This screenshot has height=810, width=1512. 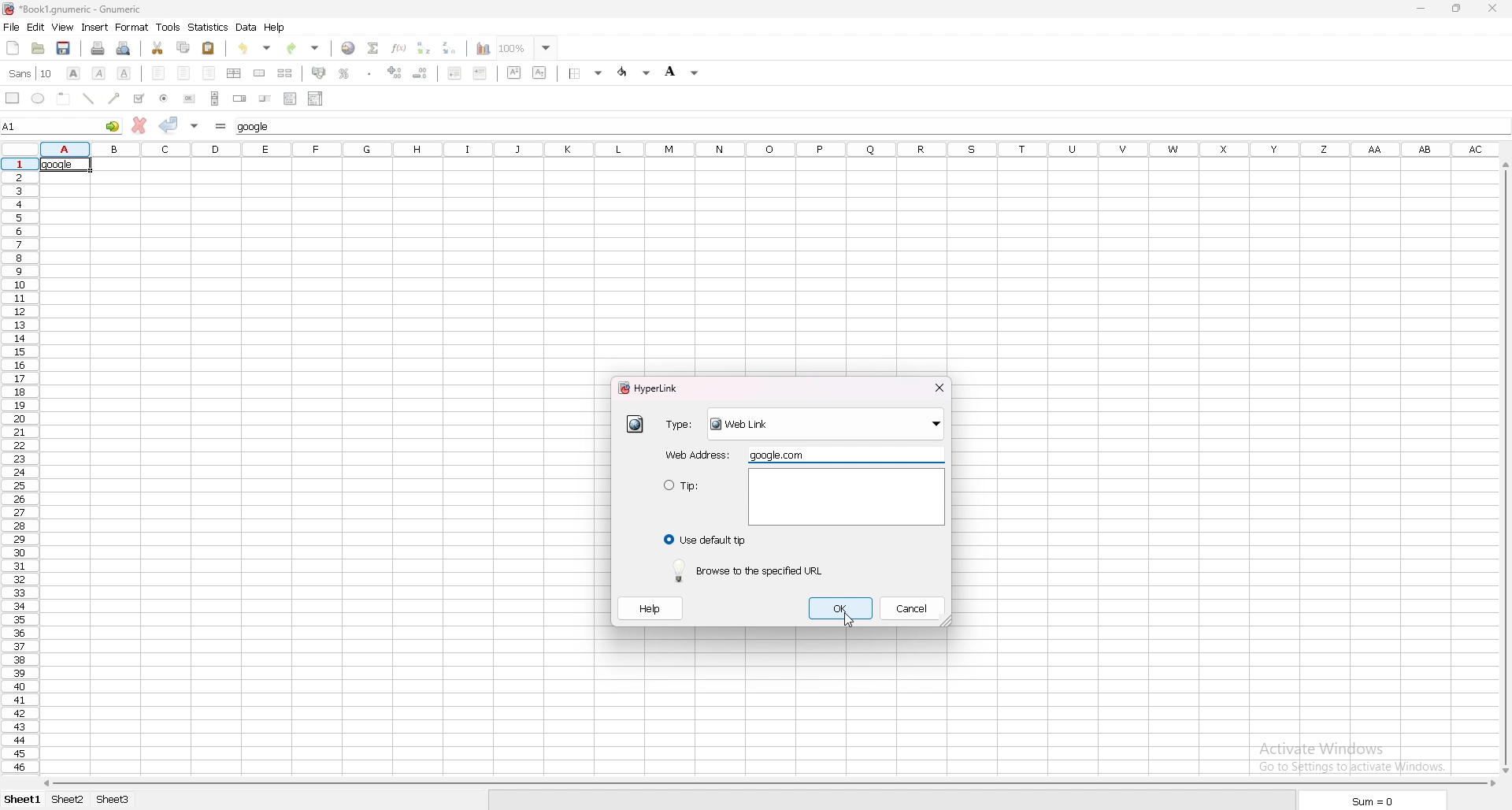 What do you see at coordinates (124, 72) in the screenshot?
I see `underline` at bounding box center [124, 72].